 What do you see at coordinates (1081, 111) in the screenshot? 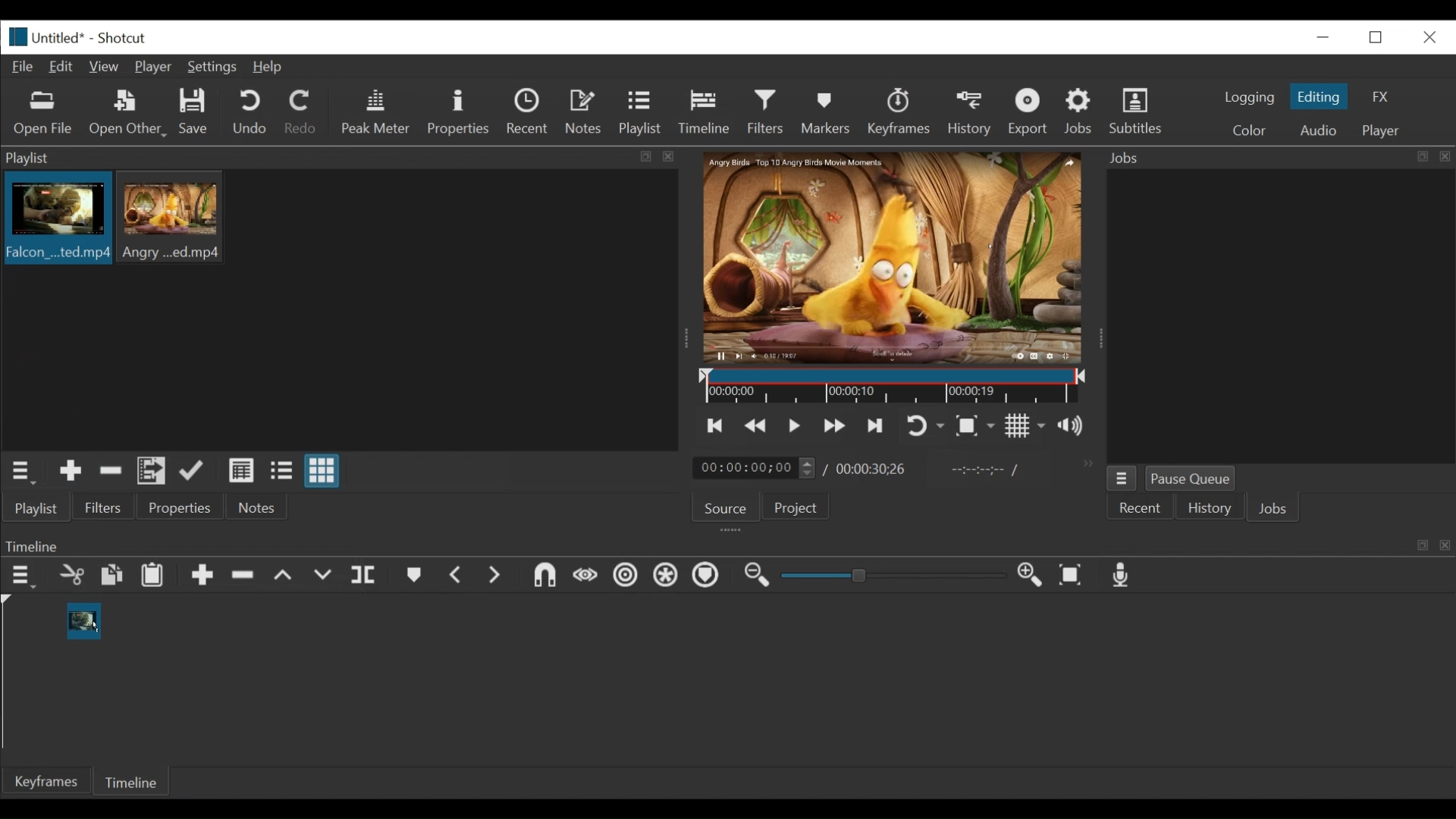
I see `Jobs` at bounding box center [1081, 111].